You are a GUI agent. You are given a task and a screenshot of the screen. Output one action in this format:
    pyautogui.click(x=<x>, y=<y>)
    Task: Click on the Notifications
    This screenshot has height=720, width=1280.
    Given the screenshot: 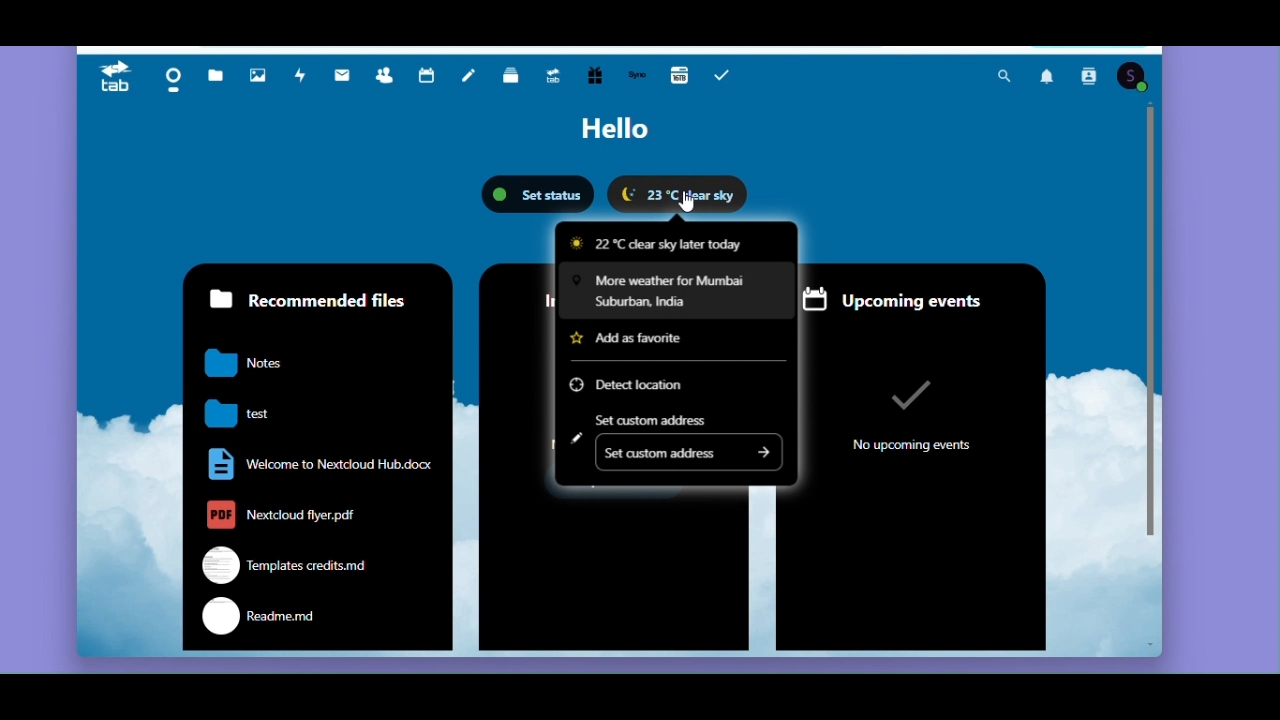 What is the action you would take?
    pyautogui.click(x=1051, y=75)
    